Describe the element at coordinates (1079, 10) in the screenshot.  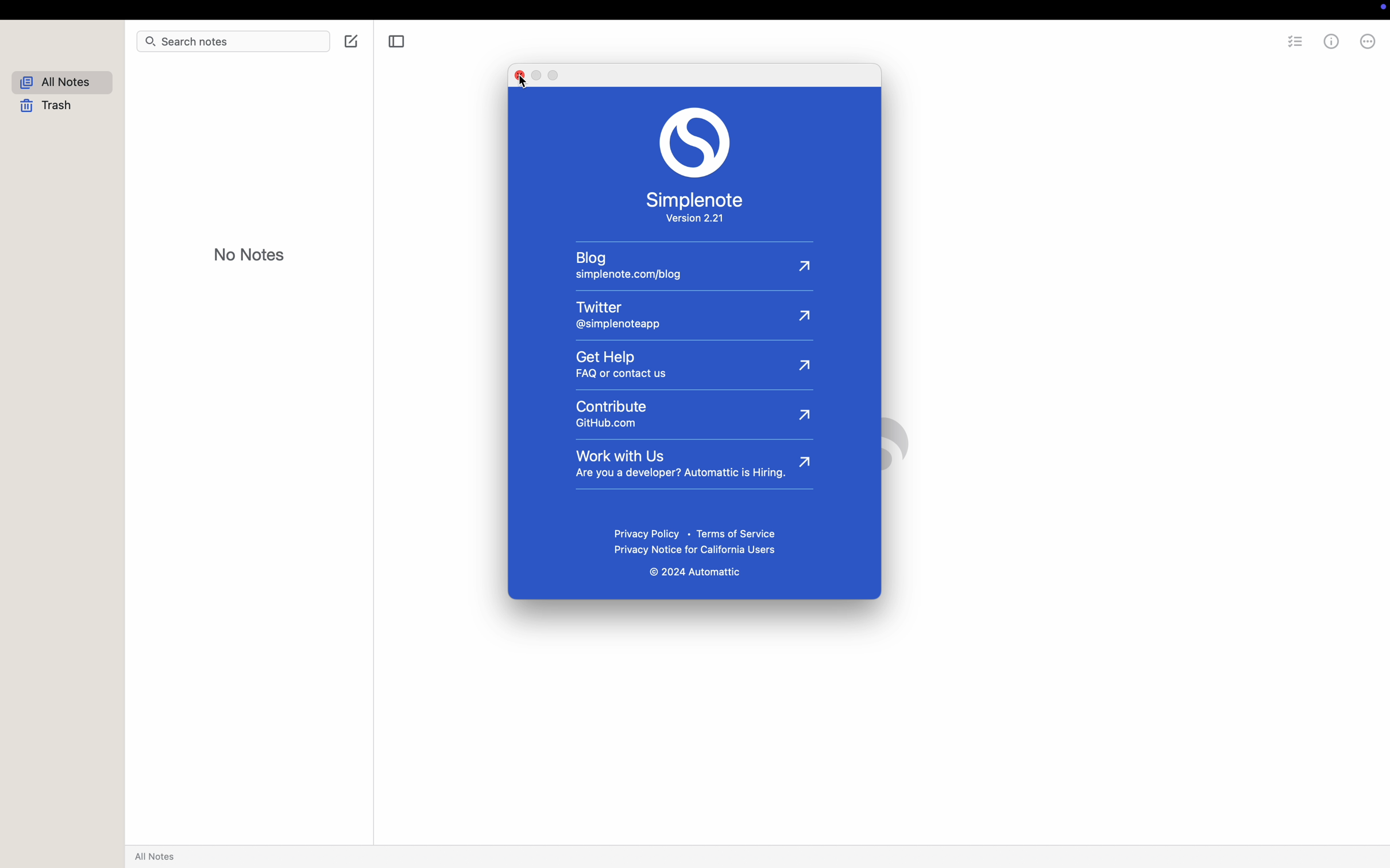
I see `stop recording` at that location.